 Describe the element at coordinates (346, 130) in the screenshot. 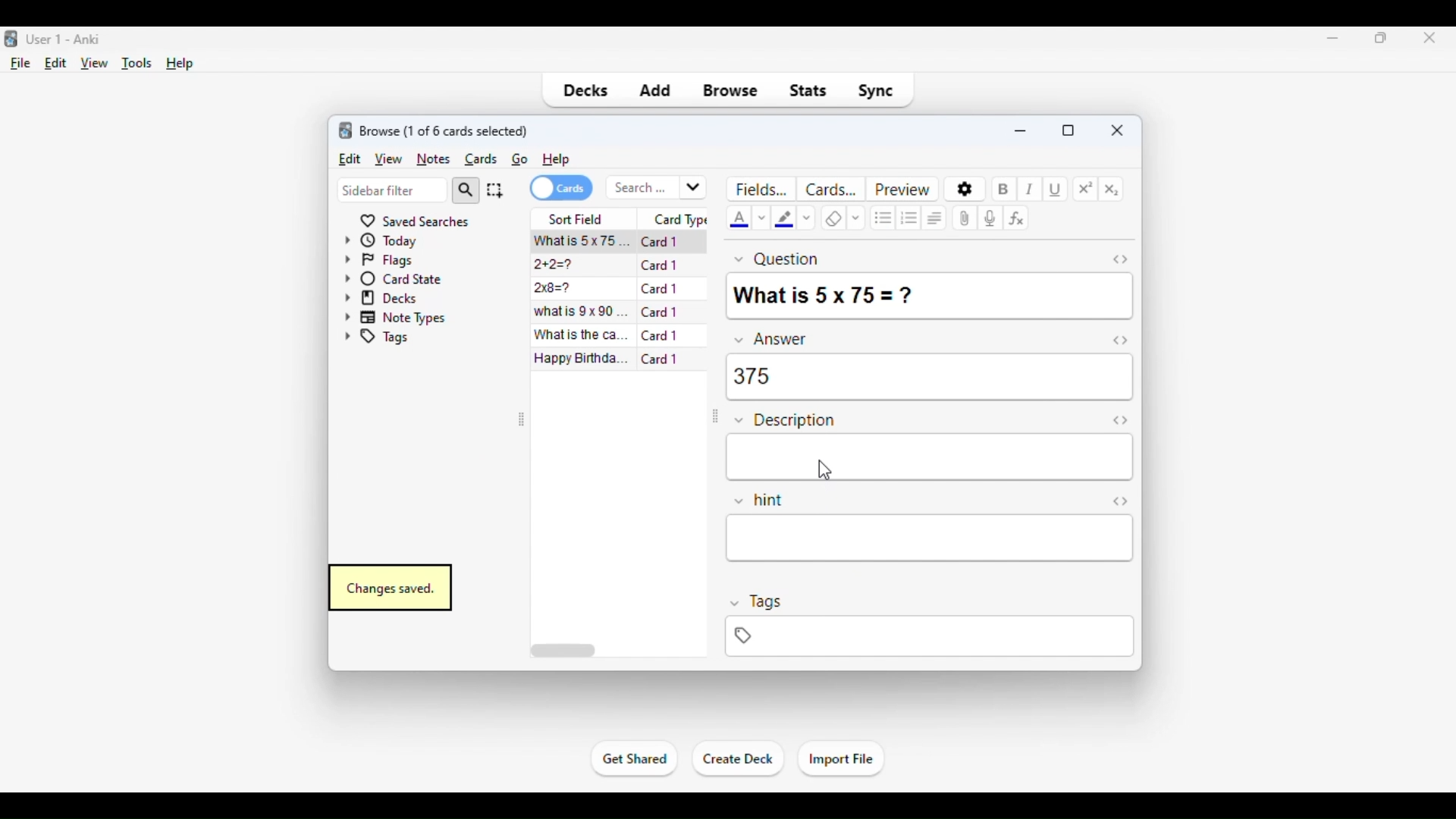

I see `logo` at that location.